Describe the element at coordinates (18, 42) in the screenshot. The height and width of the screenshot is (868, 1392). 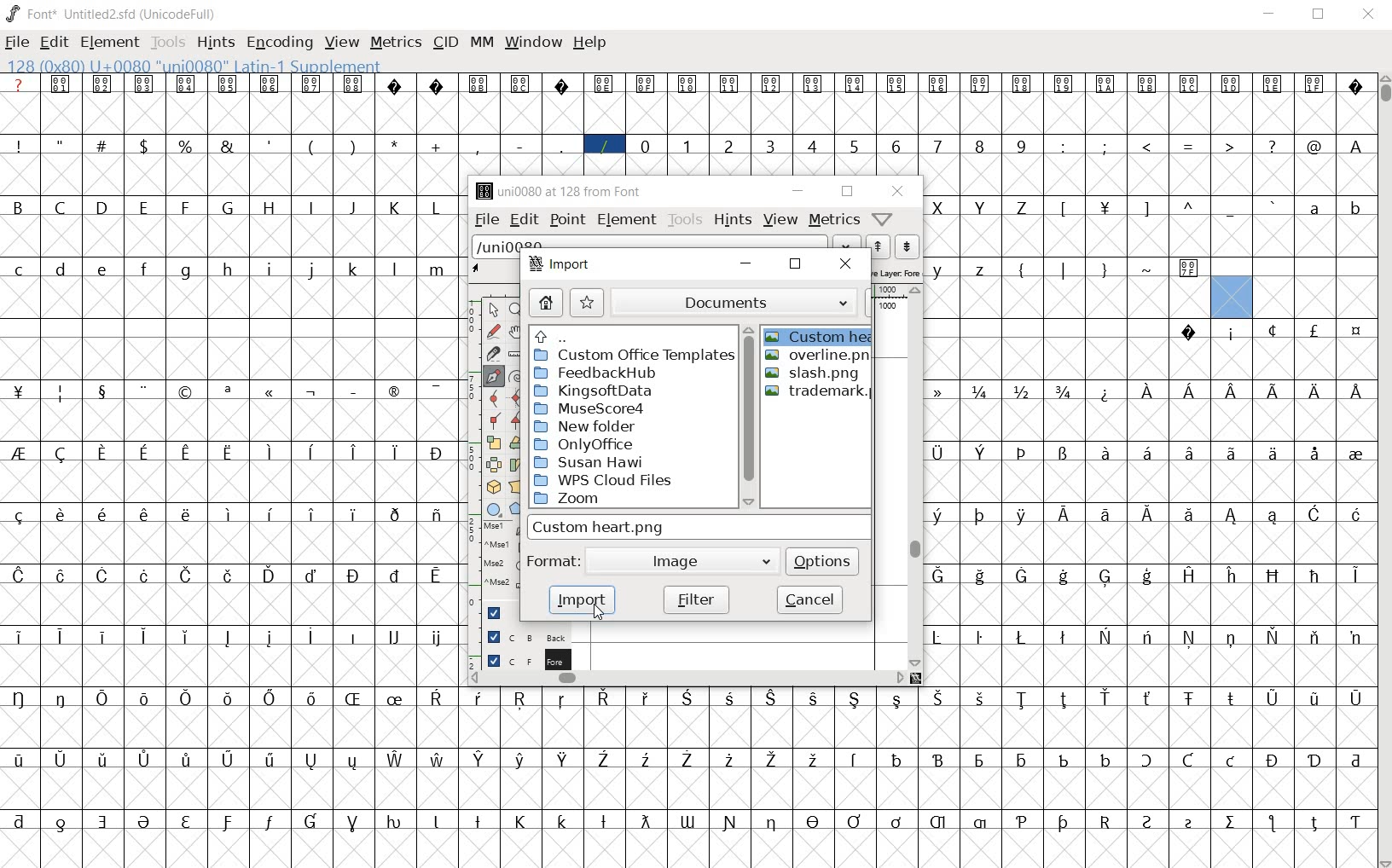
I see `FILE` at that location.